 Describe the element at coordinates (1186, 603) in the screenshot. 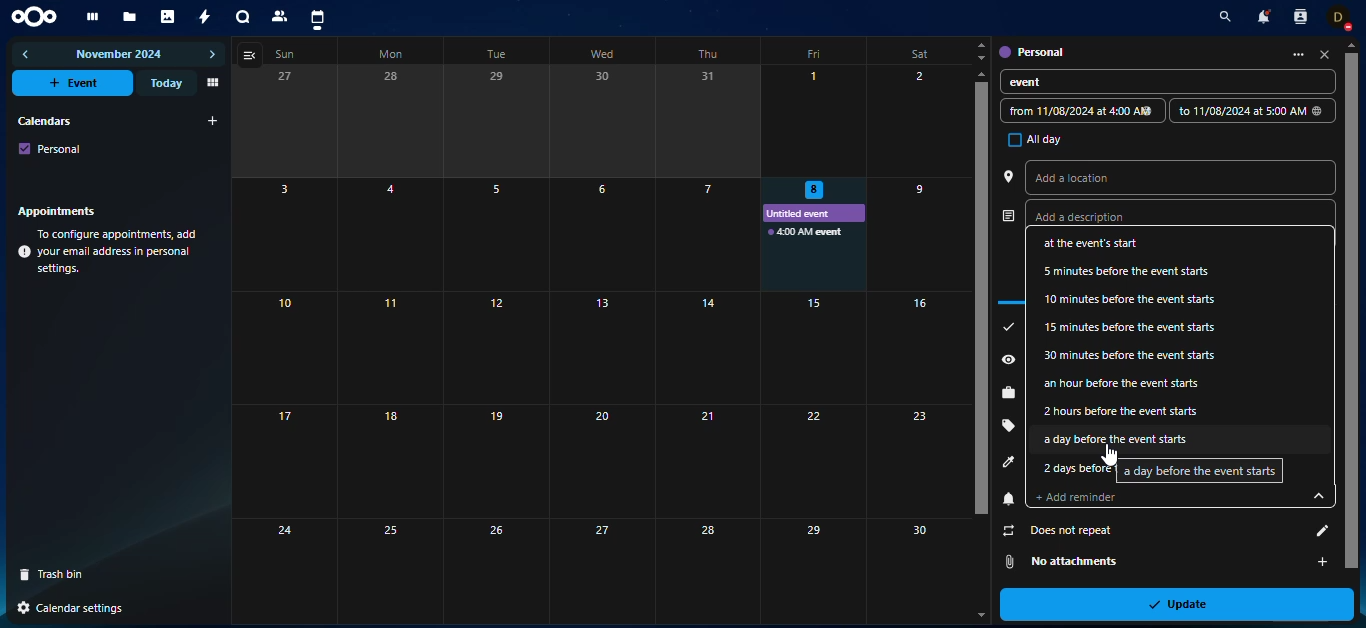

I see `update` at that location.